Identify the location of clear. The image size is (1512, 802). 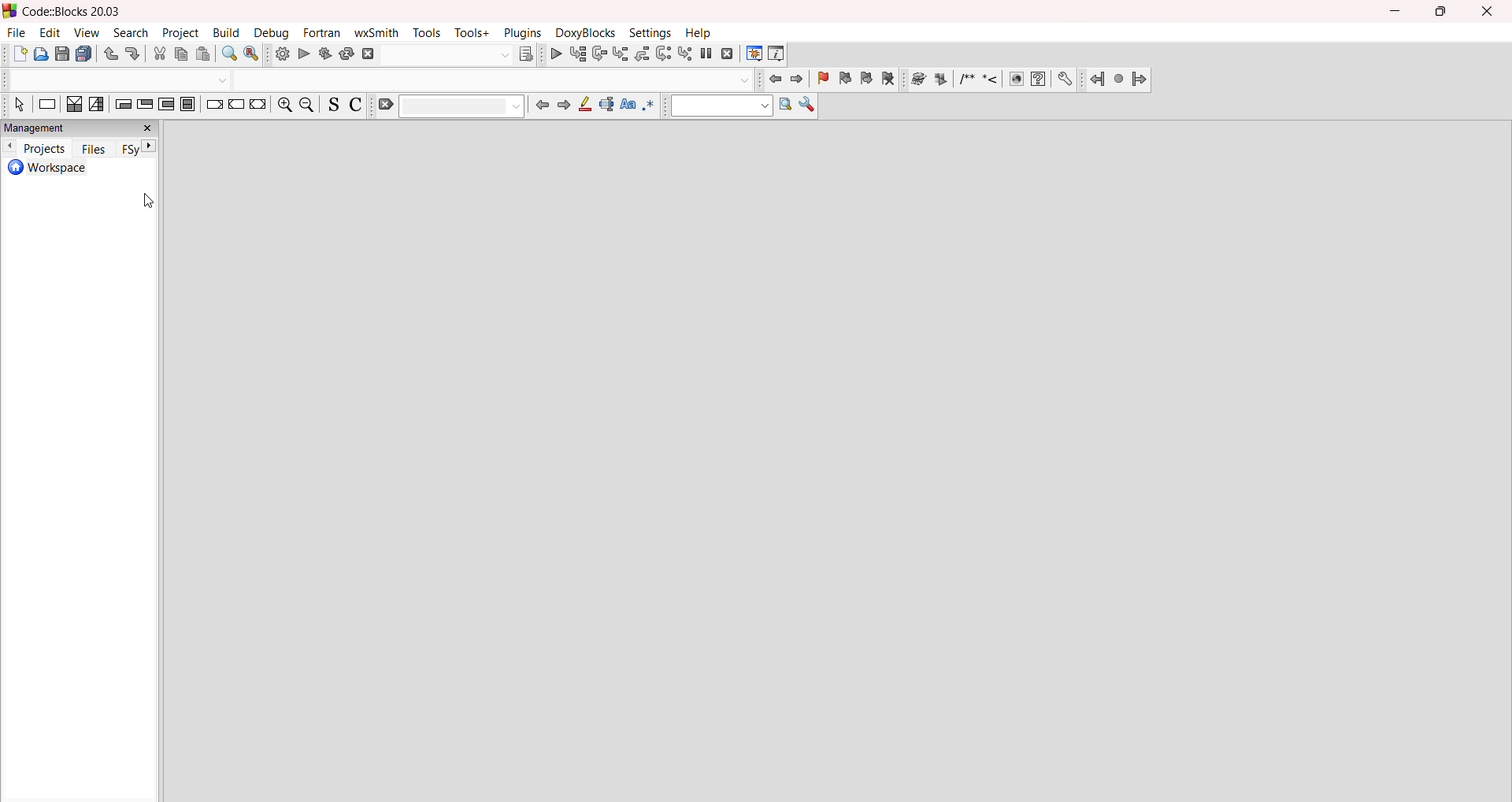
(450, 106).